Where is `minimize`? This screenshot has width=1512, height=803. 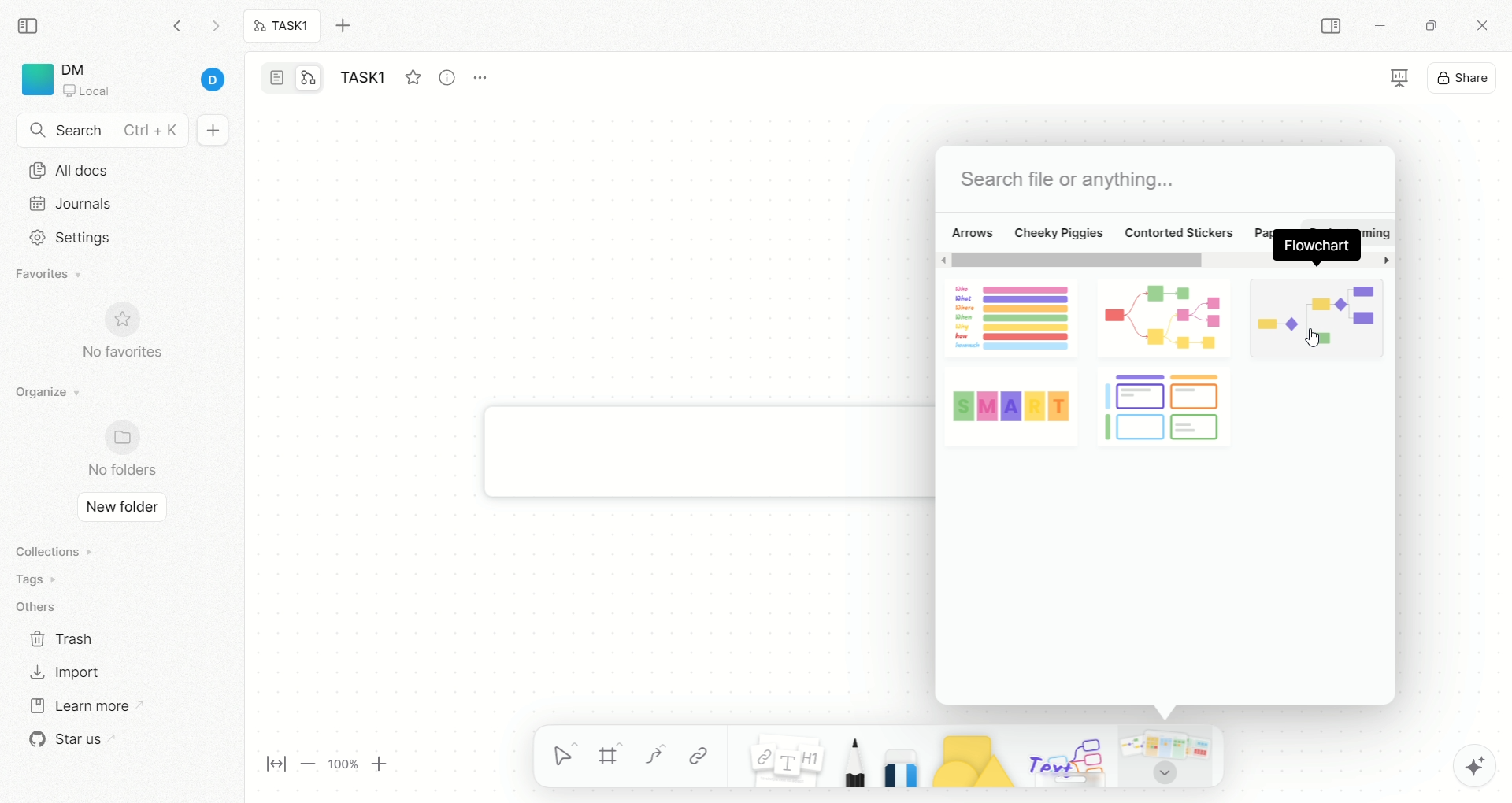 minimize is located at coordinates (1378, 28).